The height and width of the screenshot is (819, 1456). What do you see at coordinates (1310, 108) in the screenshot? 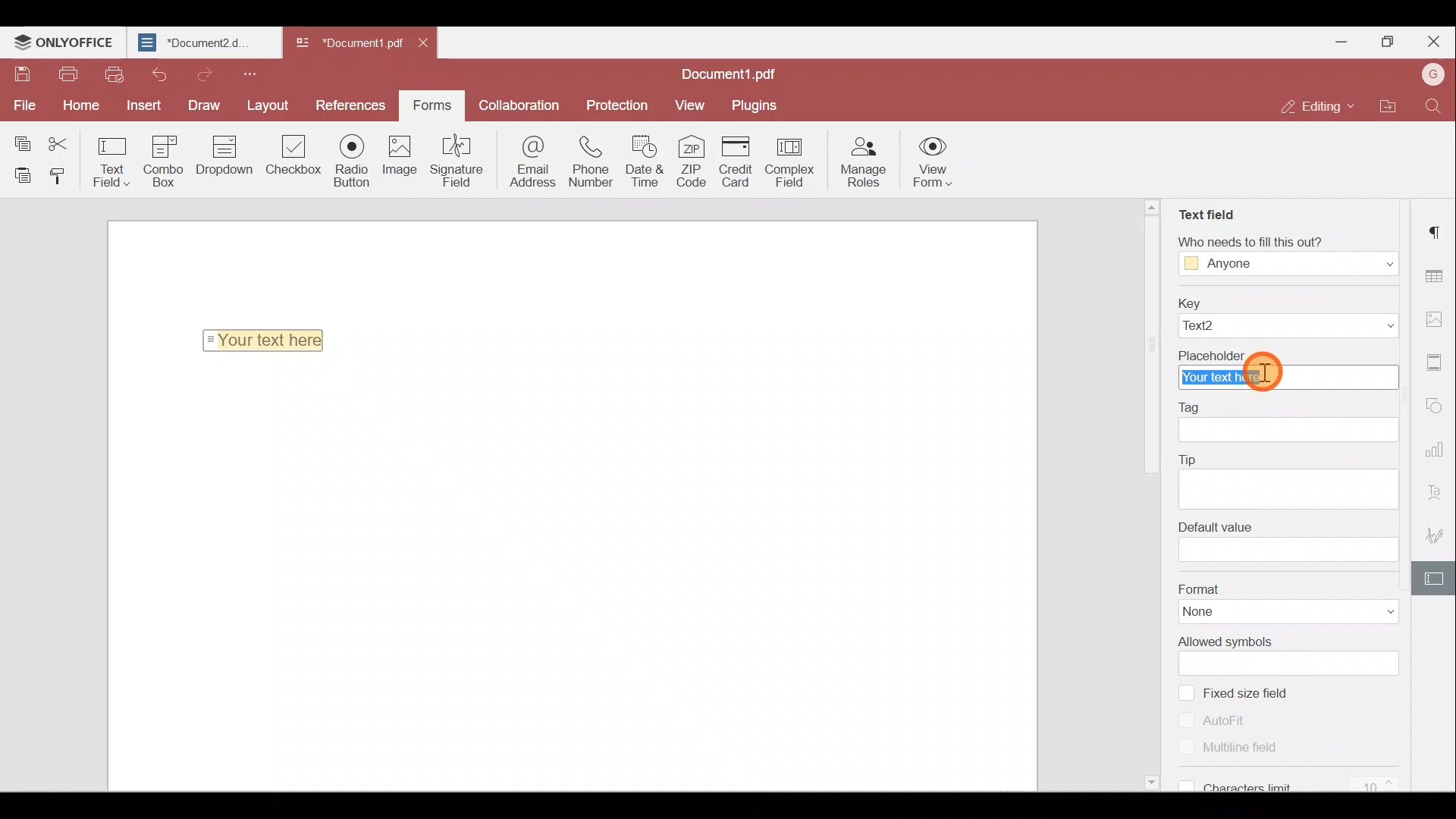
I see `Editing mode` at bounding box center [1310, 108].